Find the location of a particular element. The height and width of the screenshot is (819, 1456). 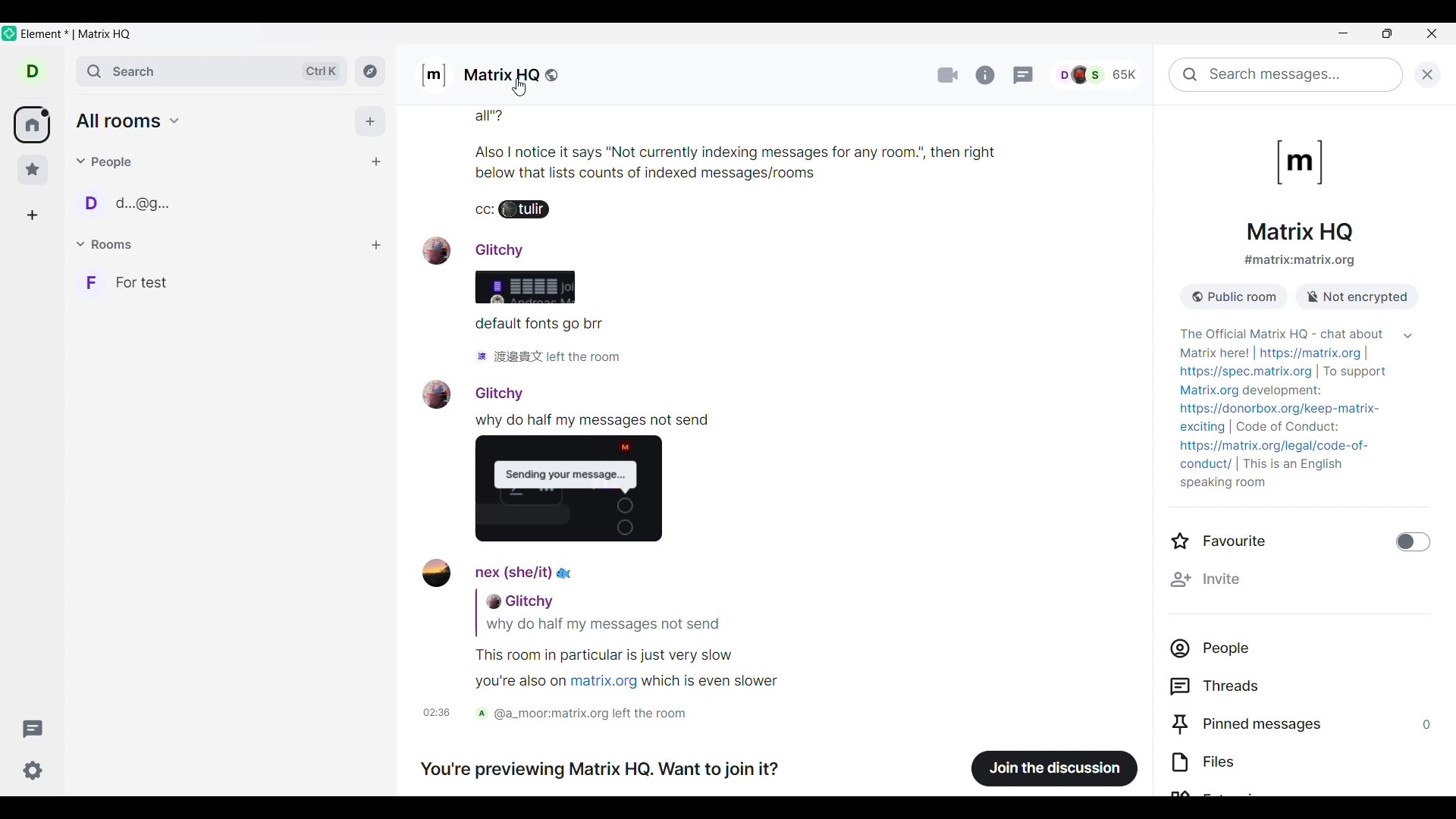

Threads is located at coordinates (33, 729).